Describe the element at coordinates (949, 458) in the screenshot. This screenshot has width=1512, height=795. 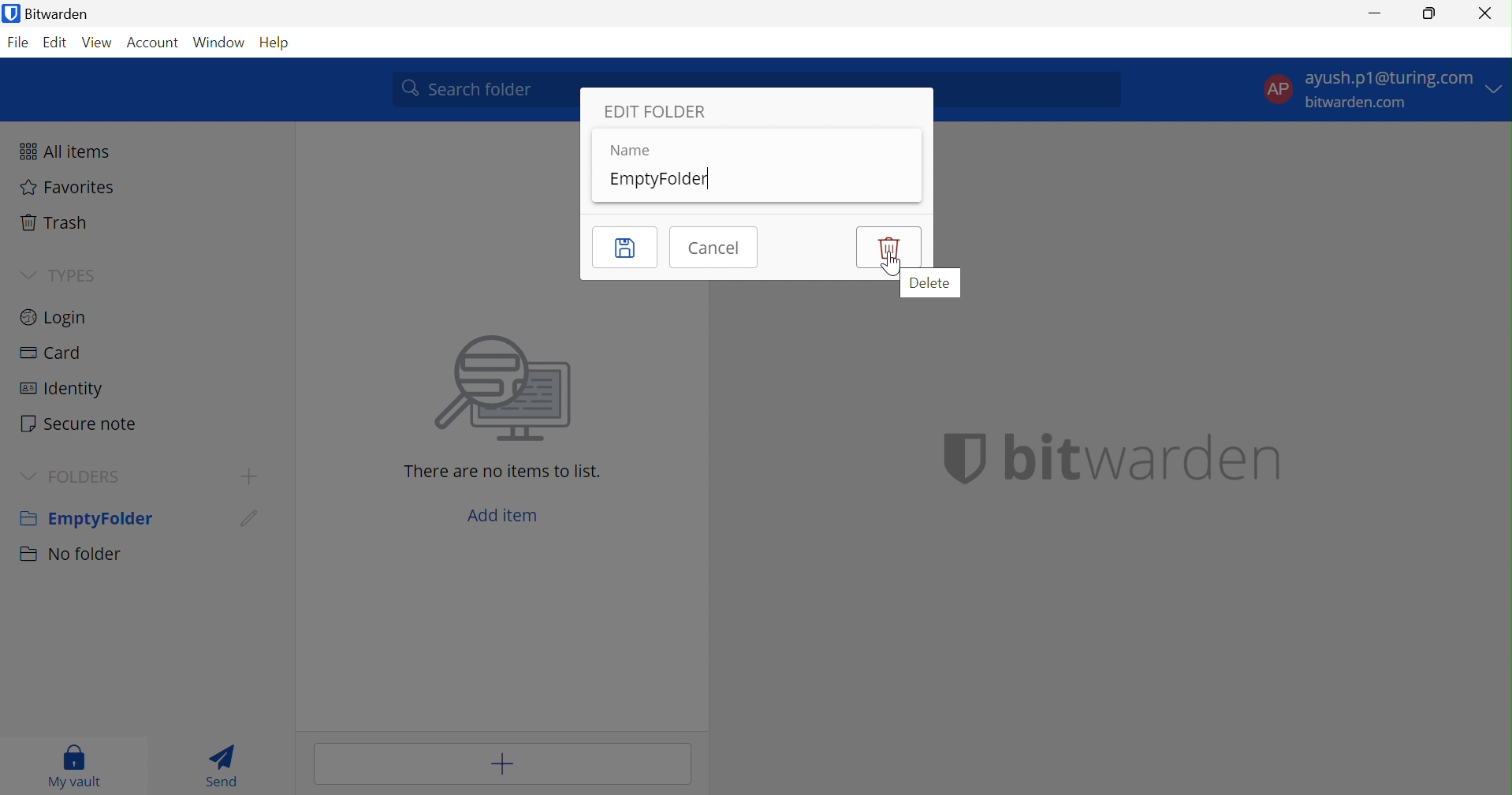
I see `bitwarden logo` at that location.